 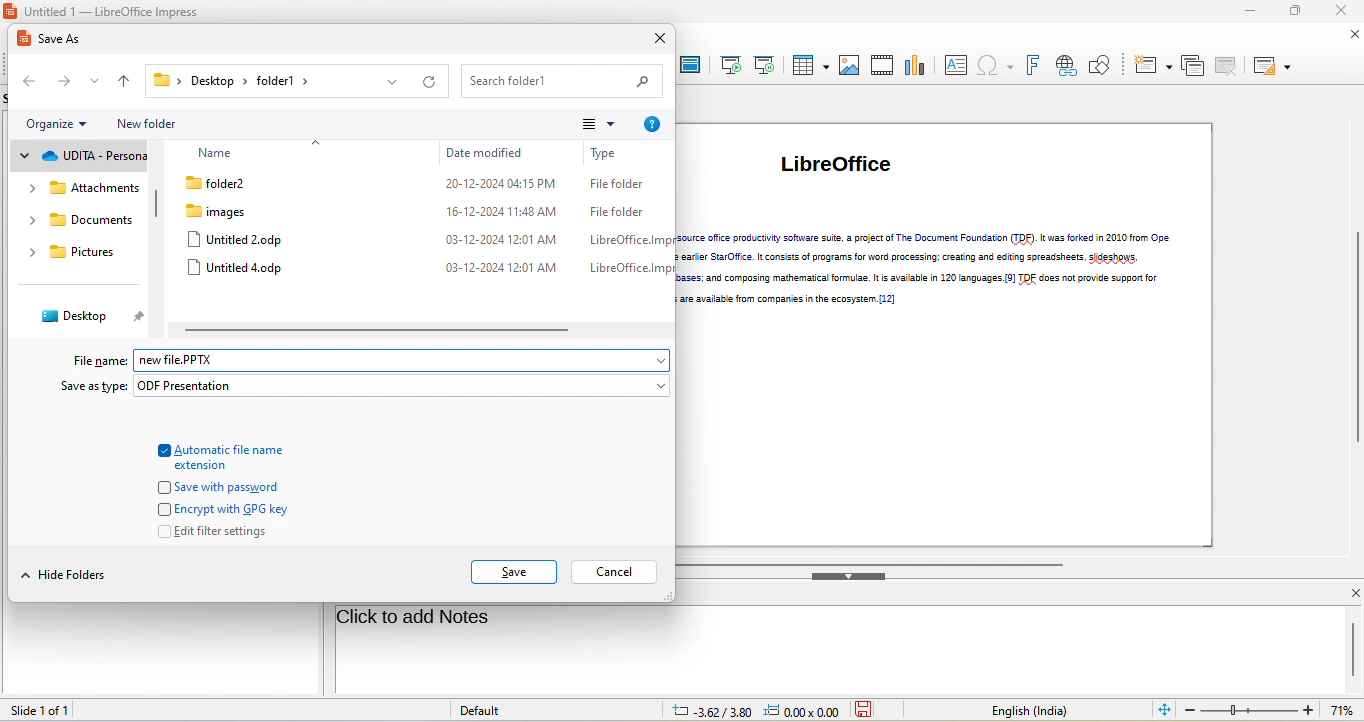 What do you see at coordinates (1101, 65) in the screenshot?
I see `show draw function` at bounding box center [1101, 65].